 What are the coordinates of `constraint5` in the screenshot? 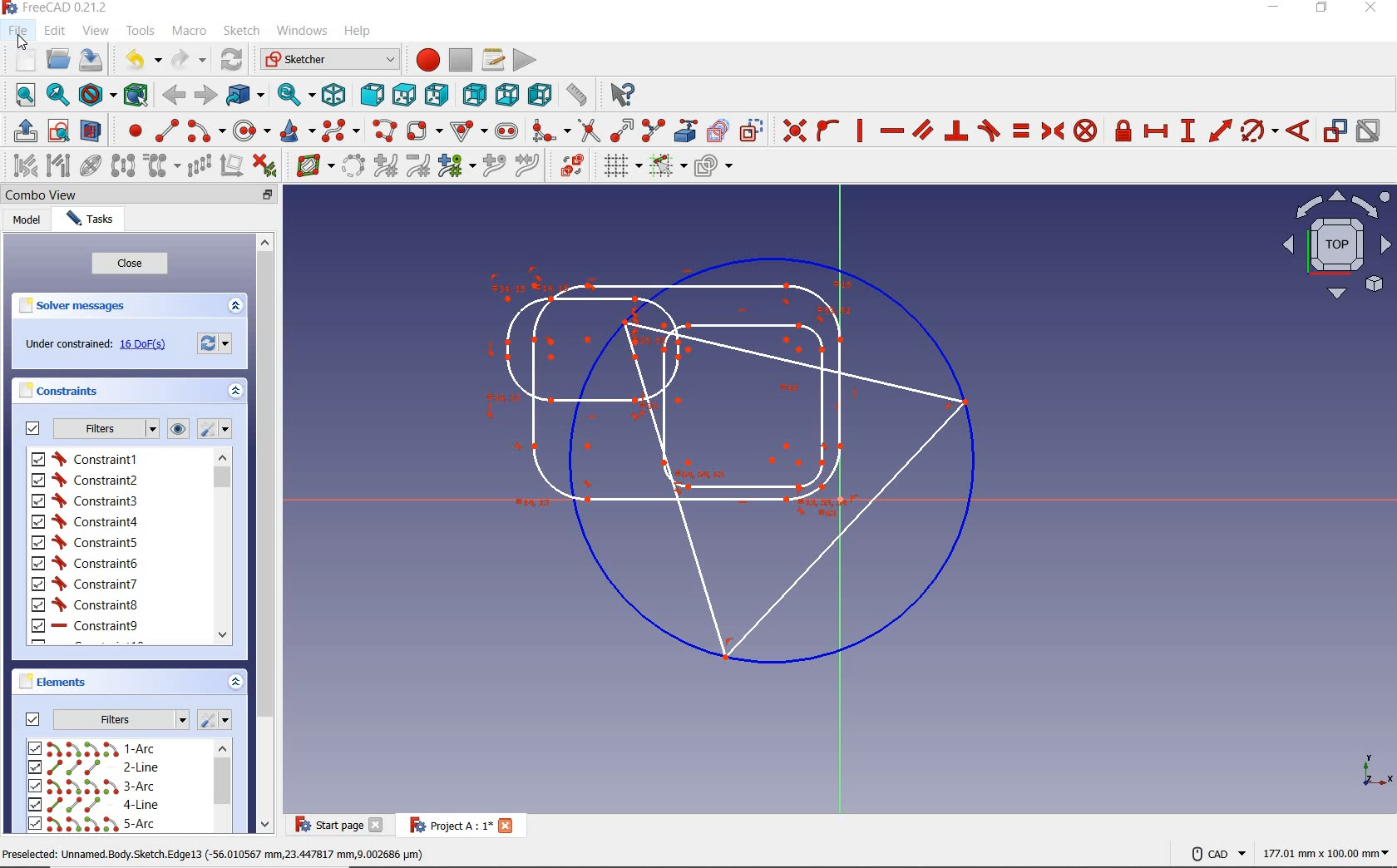 It's located at (84, 542).